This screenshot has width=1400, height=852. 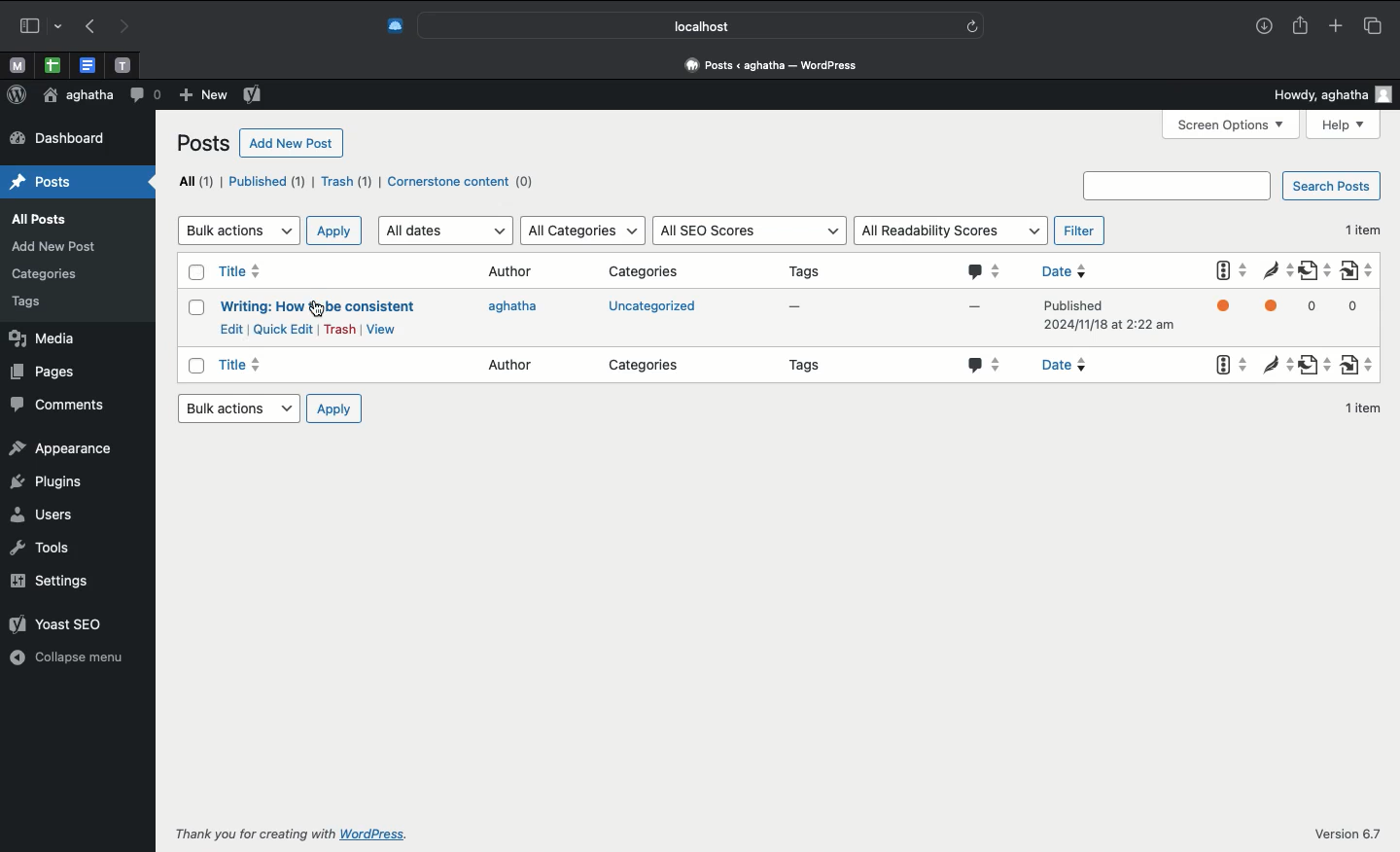 What do you see at coordinates (799, 311) in the screenshot?
I see `no Tags` at bounding box center [799, 311].